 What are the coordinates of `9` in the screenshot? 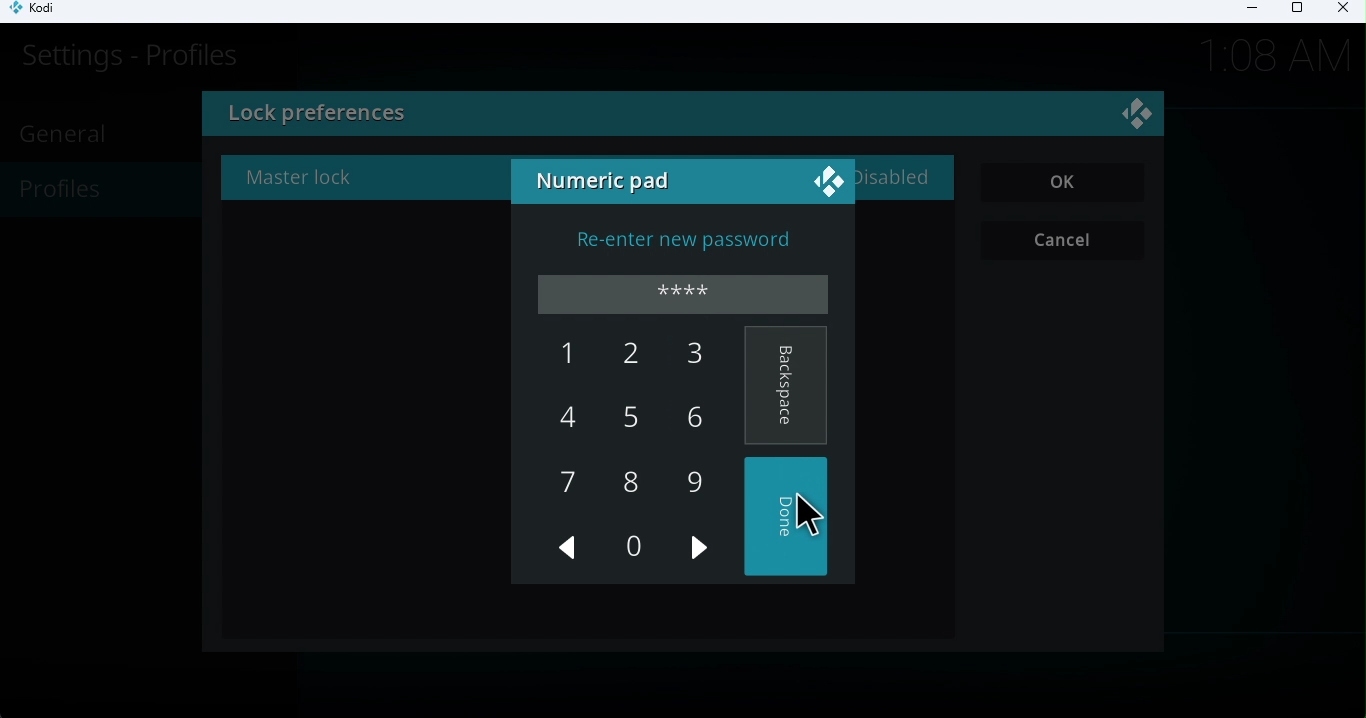 It's located at (694, 481).